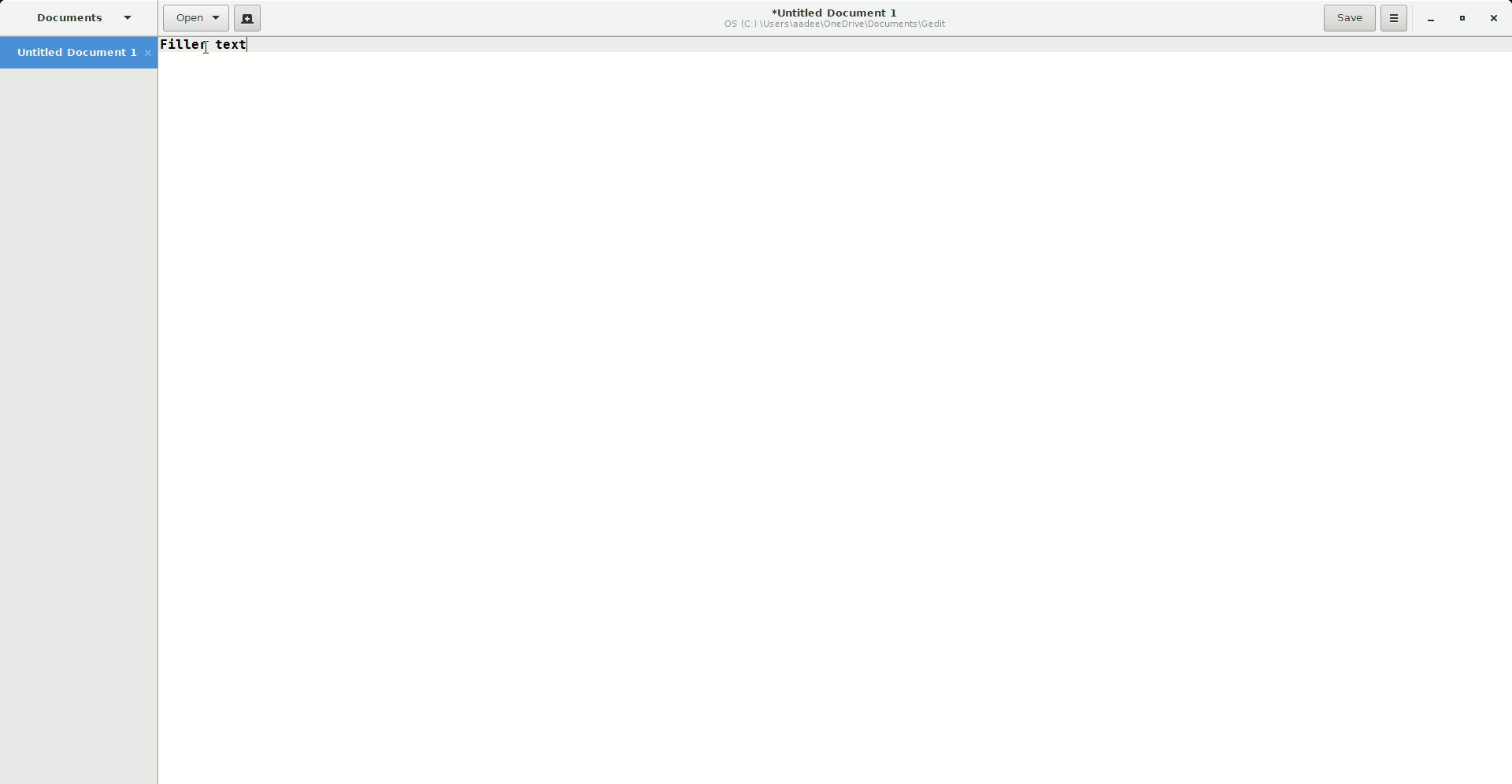  I want to click on Open, so click(192, 19).